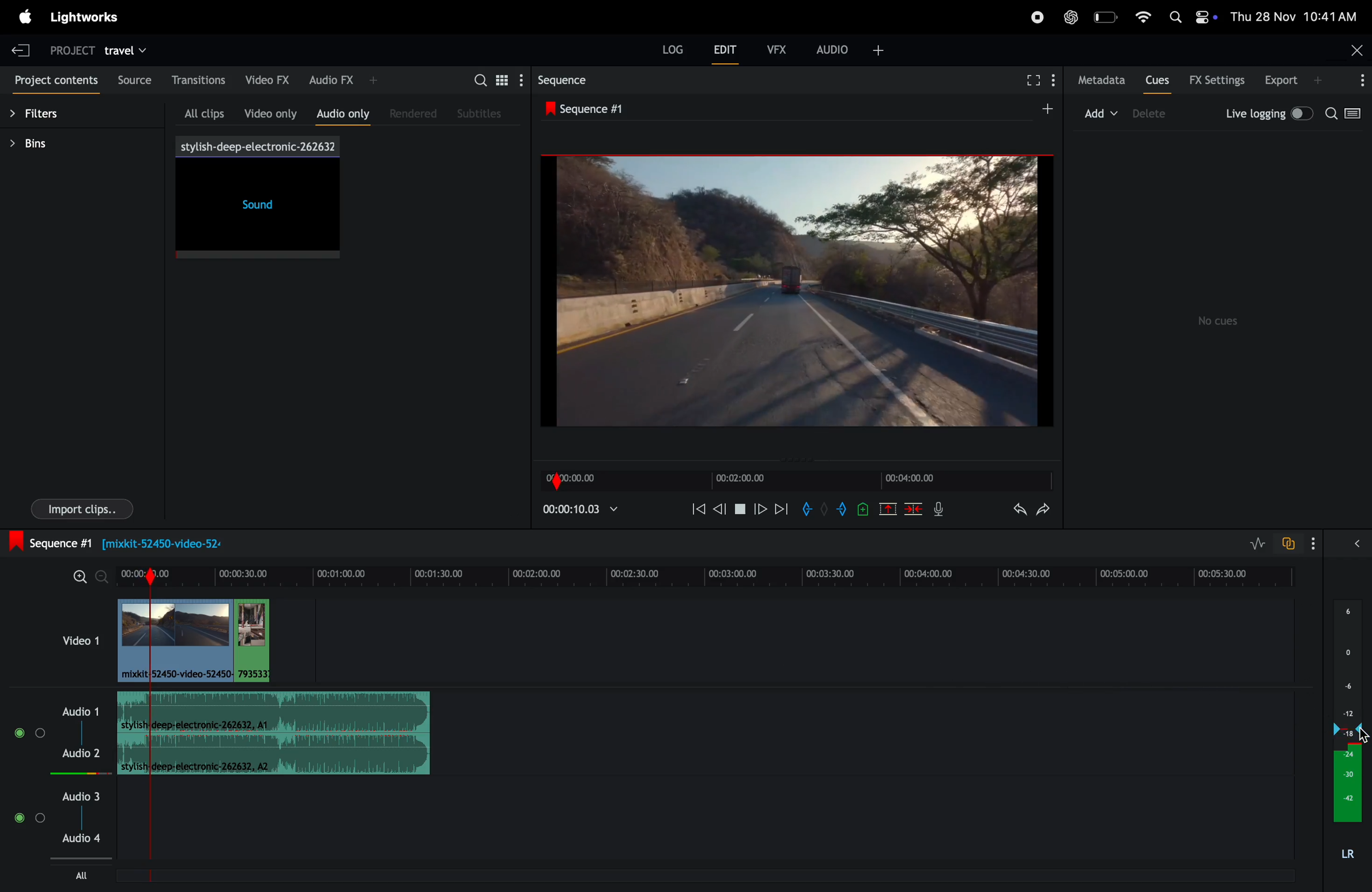 The width and height of the screenshot is (1372, 892). I want to click on options, so click(1356, 79).